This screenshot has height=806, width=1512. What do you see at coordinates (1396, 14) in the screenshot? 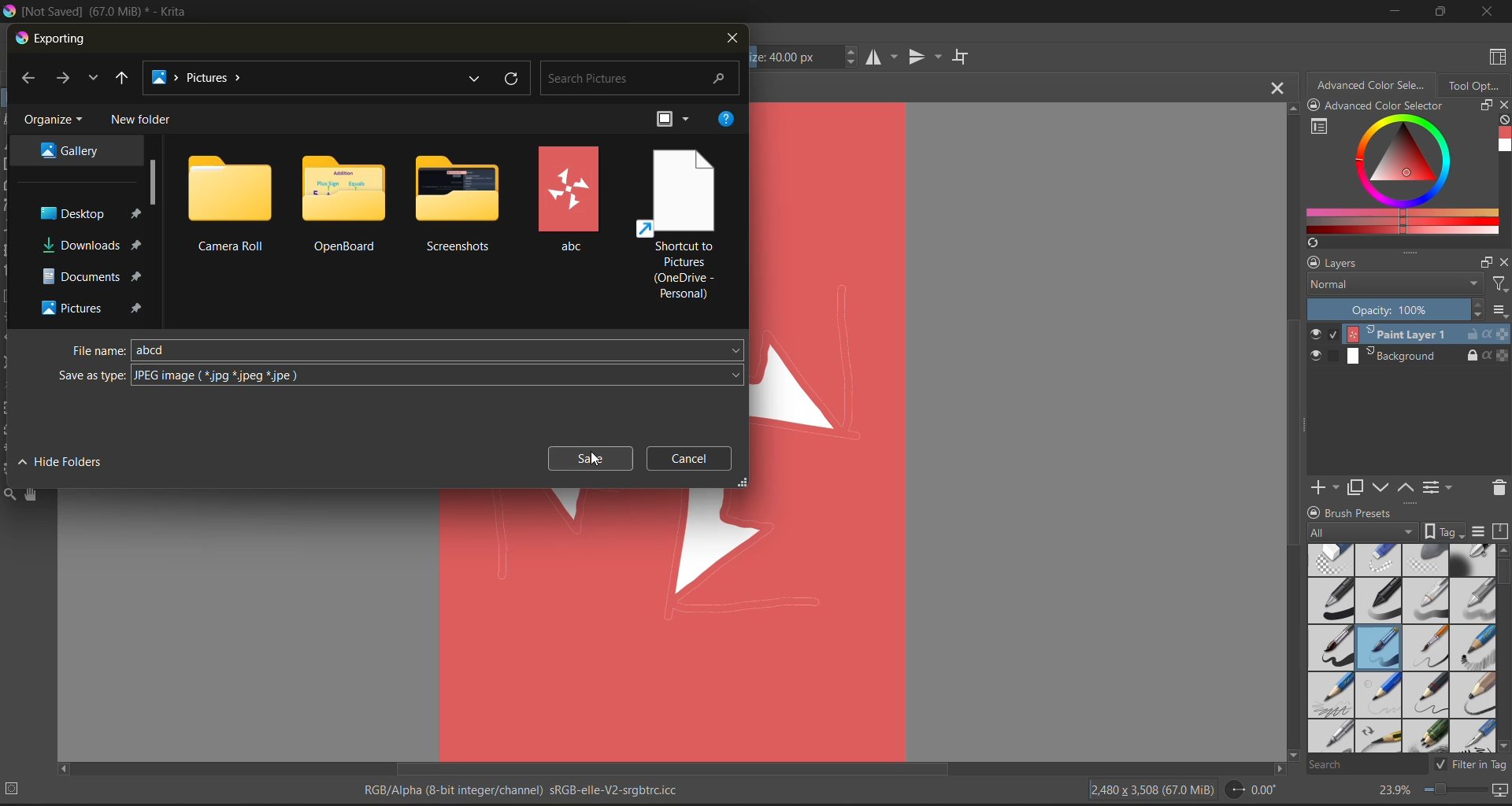
I see `minimize` at bounding box center [1396, 14].